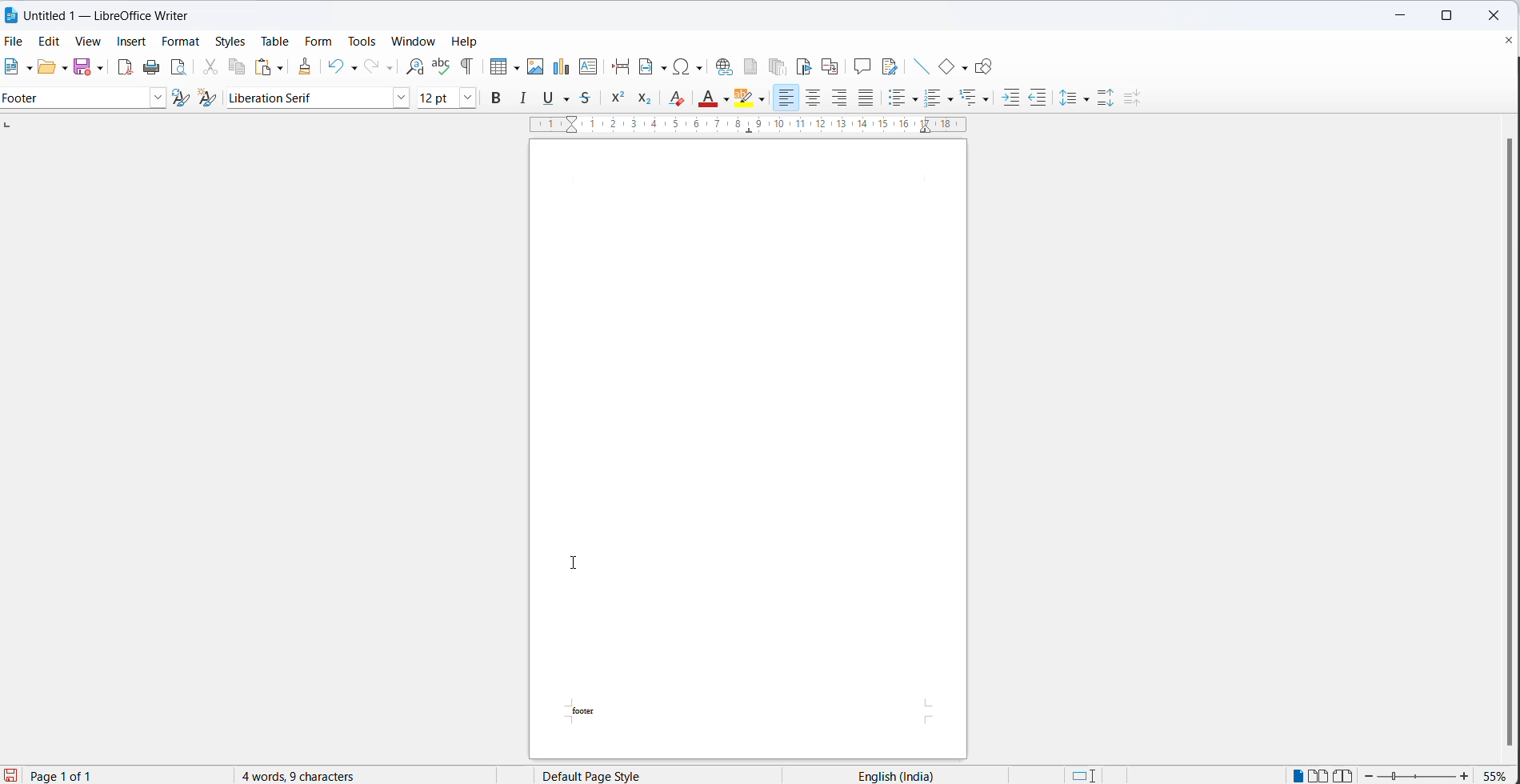  I want to click on zoom slider, so click(1417, 777).